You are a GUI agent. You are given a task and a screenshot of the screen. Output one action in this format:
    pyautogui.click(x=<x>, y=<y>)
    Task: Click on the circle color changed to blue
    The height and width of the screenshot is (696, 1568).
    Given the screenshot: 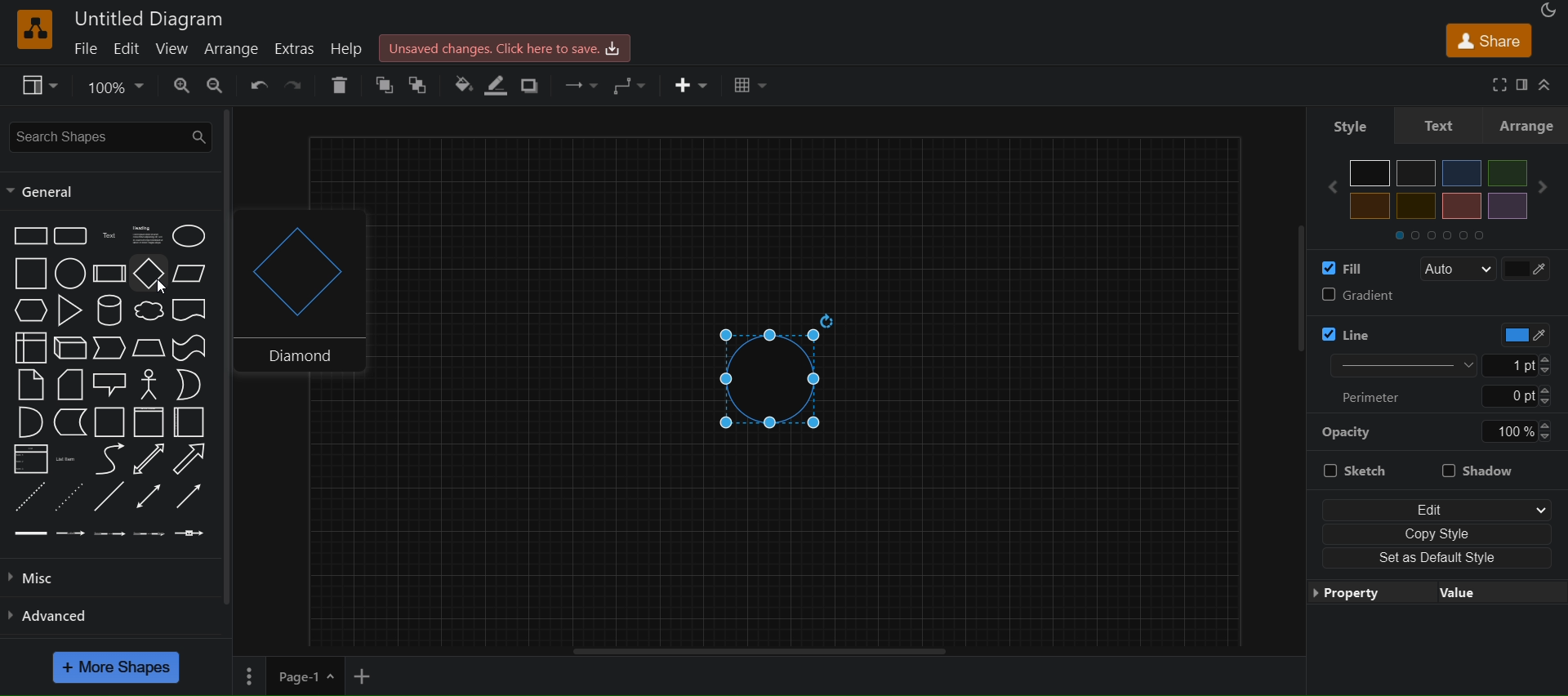 What is the action you would take?
    pyautogui.click(x=782, y=377)
    